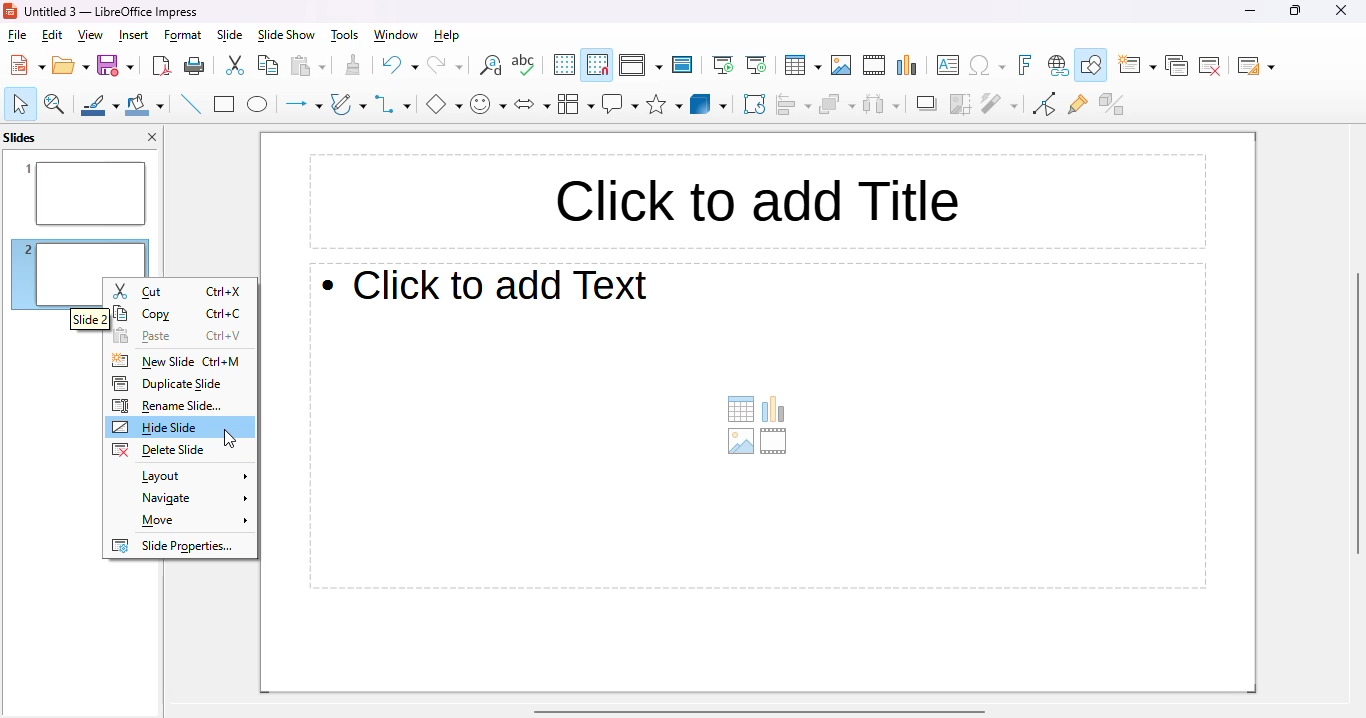  I want to click on align objects, so click(794, 104).